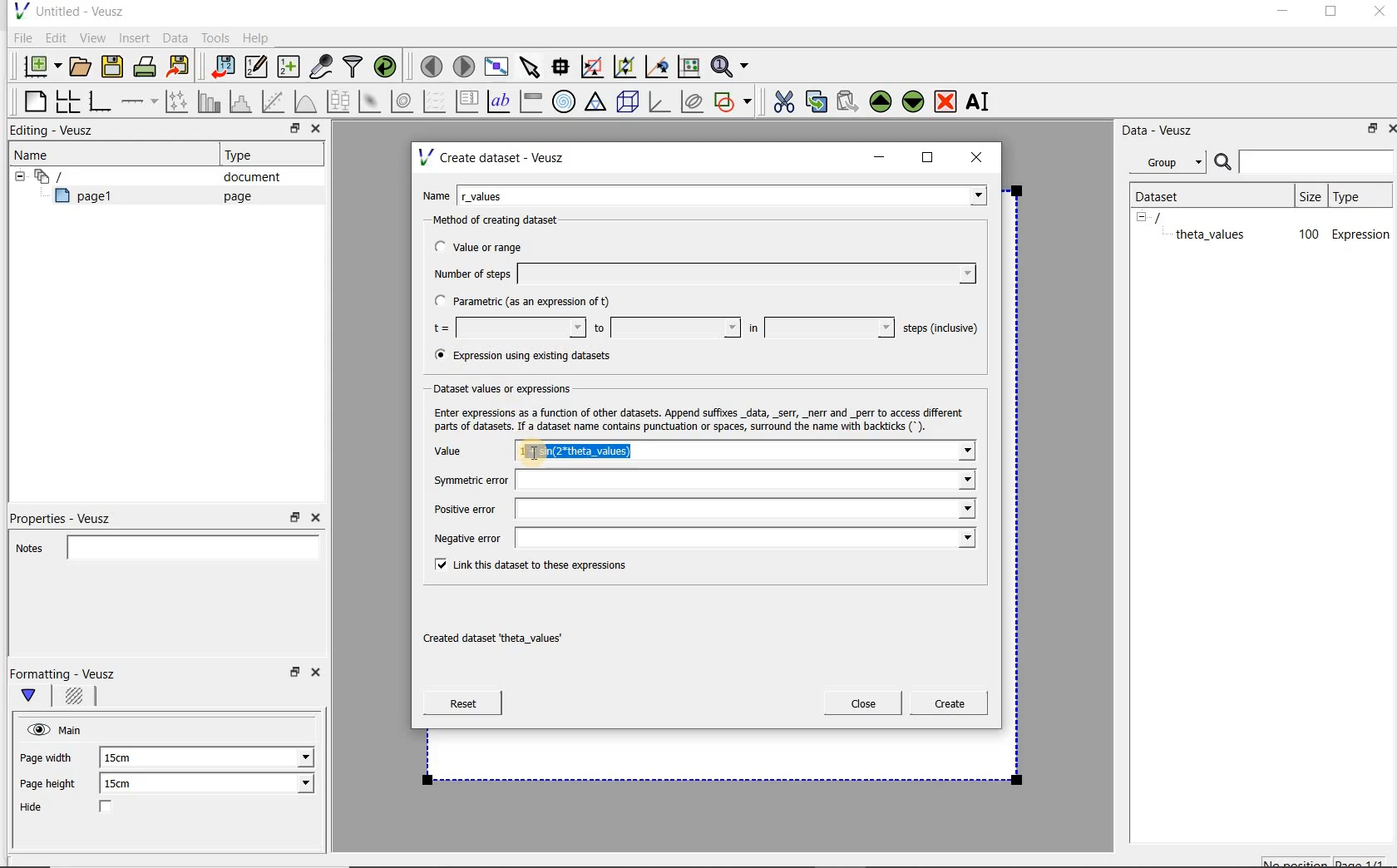 The height and width of the screenshot is (868, 1397). Describe the element at coordinates (928, 158) in the screenshot. I see `maximize` at that location.